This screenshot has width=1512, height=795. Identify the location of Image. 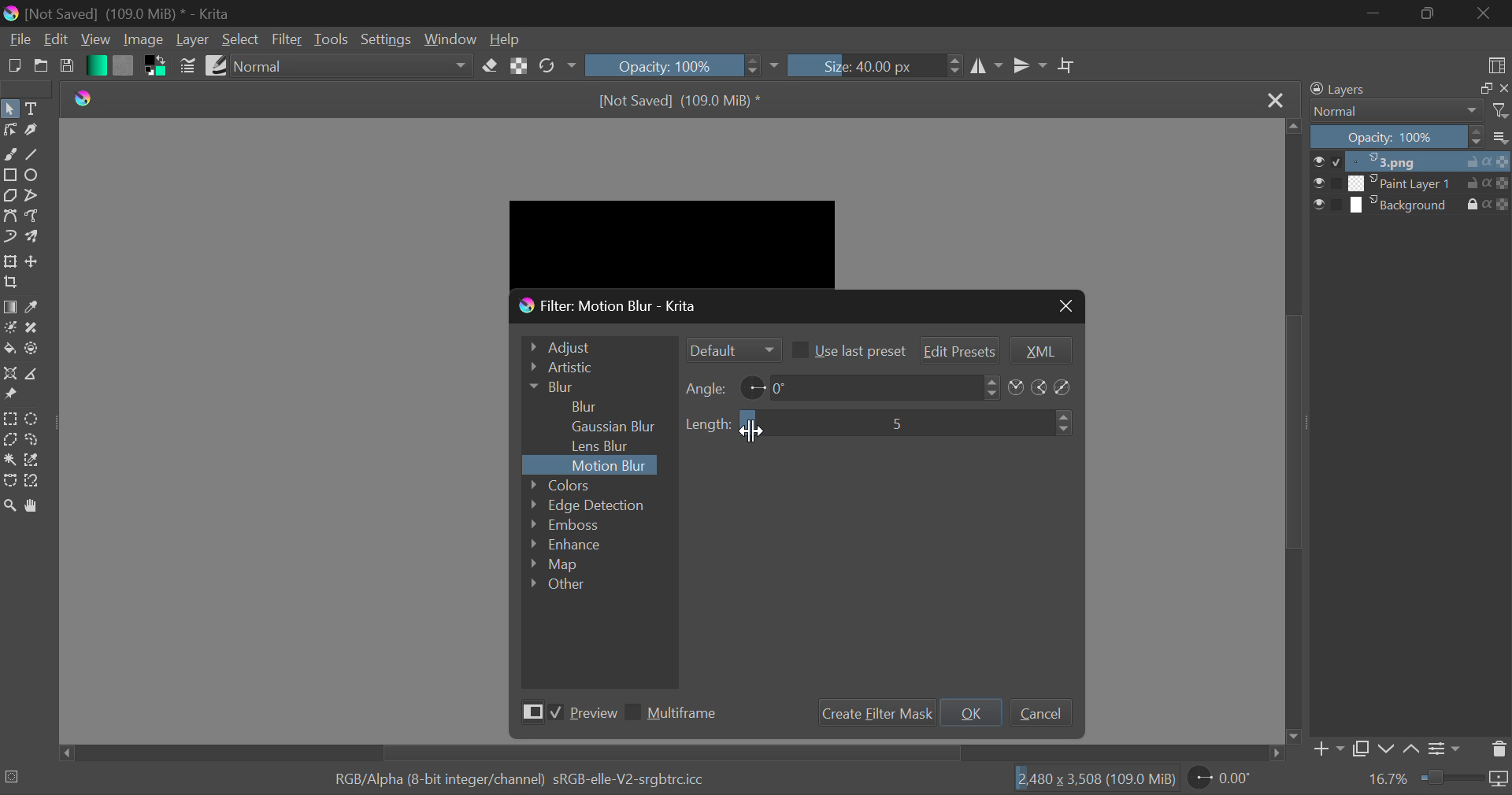
(143, 41).